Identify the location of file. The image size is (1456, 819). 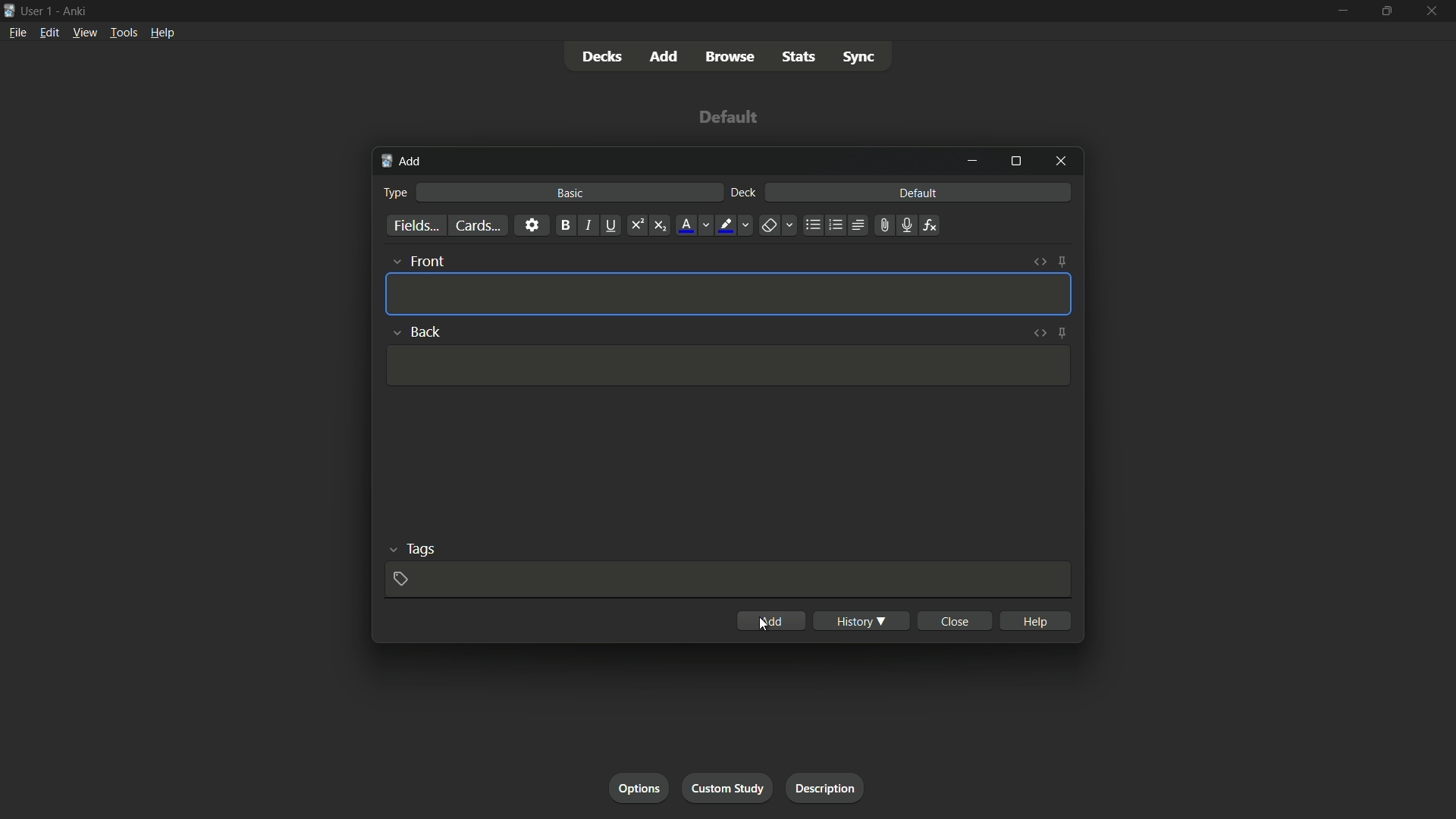
(15, 32).